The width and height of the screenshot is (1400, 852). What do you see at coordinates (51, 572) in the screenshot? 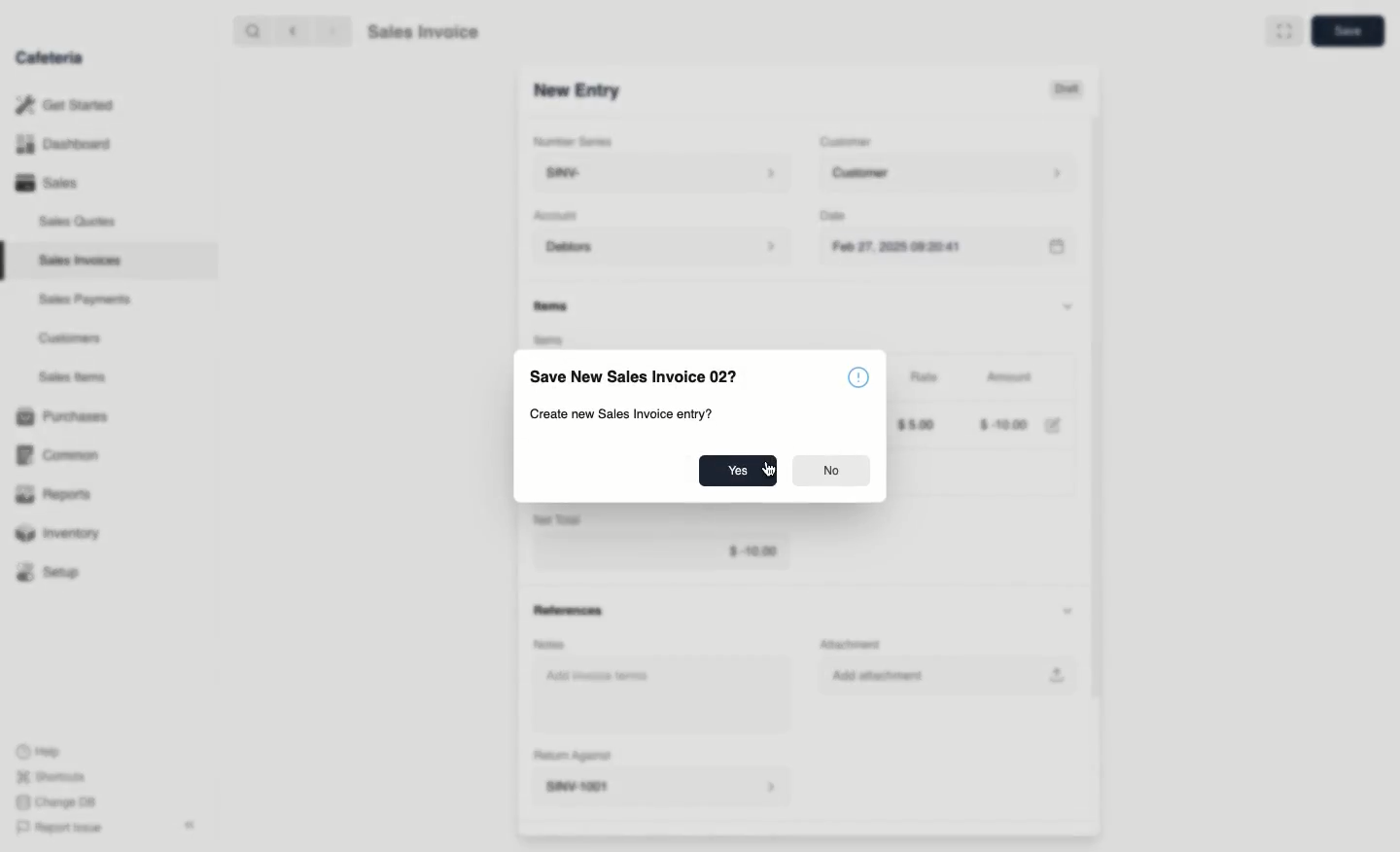
I see `Setup` at bounding box center [51, 572].